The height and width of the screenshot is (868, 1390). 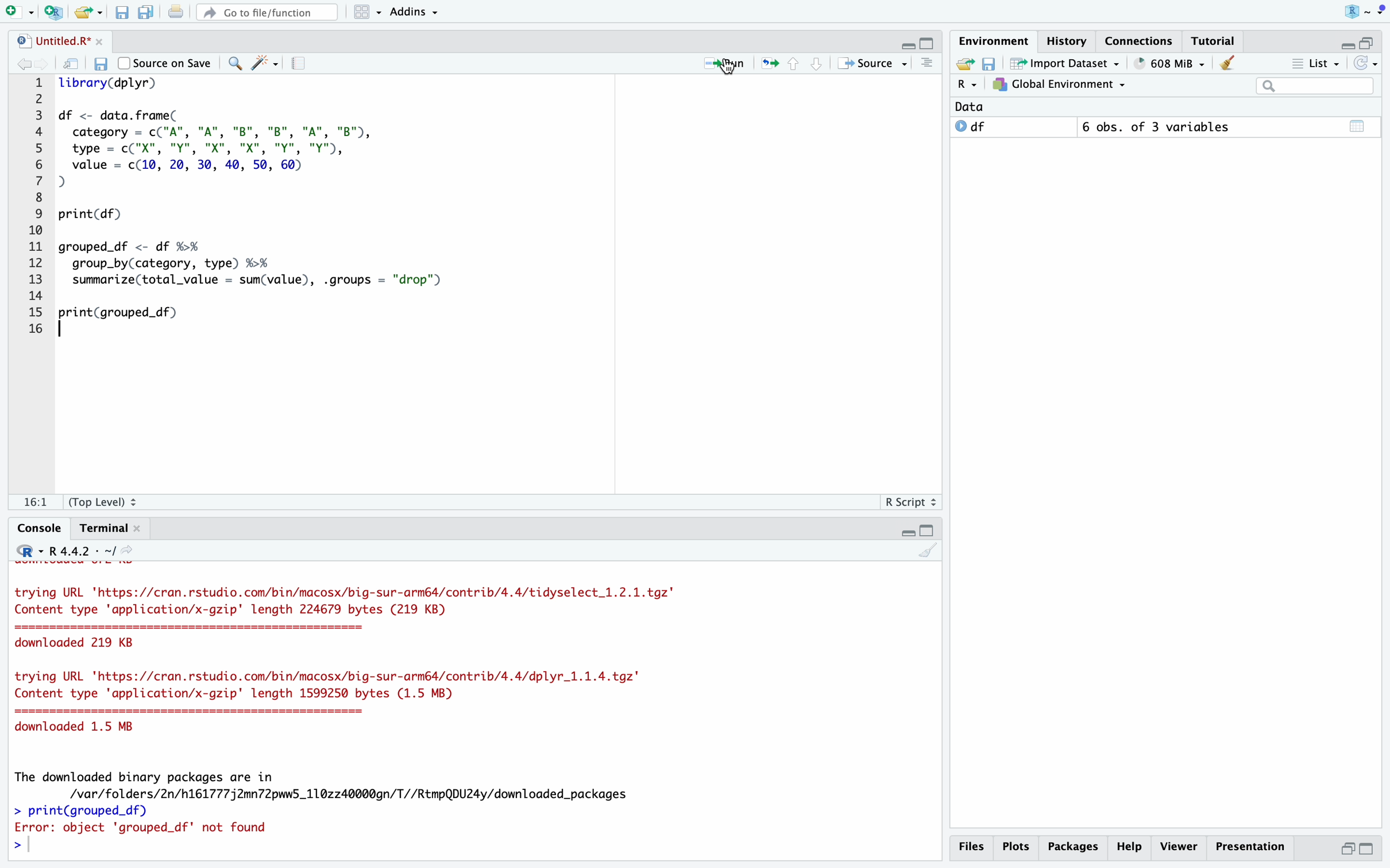 I want to click on Hide, so click(x=906, y=531).